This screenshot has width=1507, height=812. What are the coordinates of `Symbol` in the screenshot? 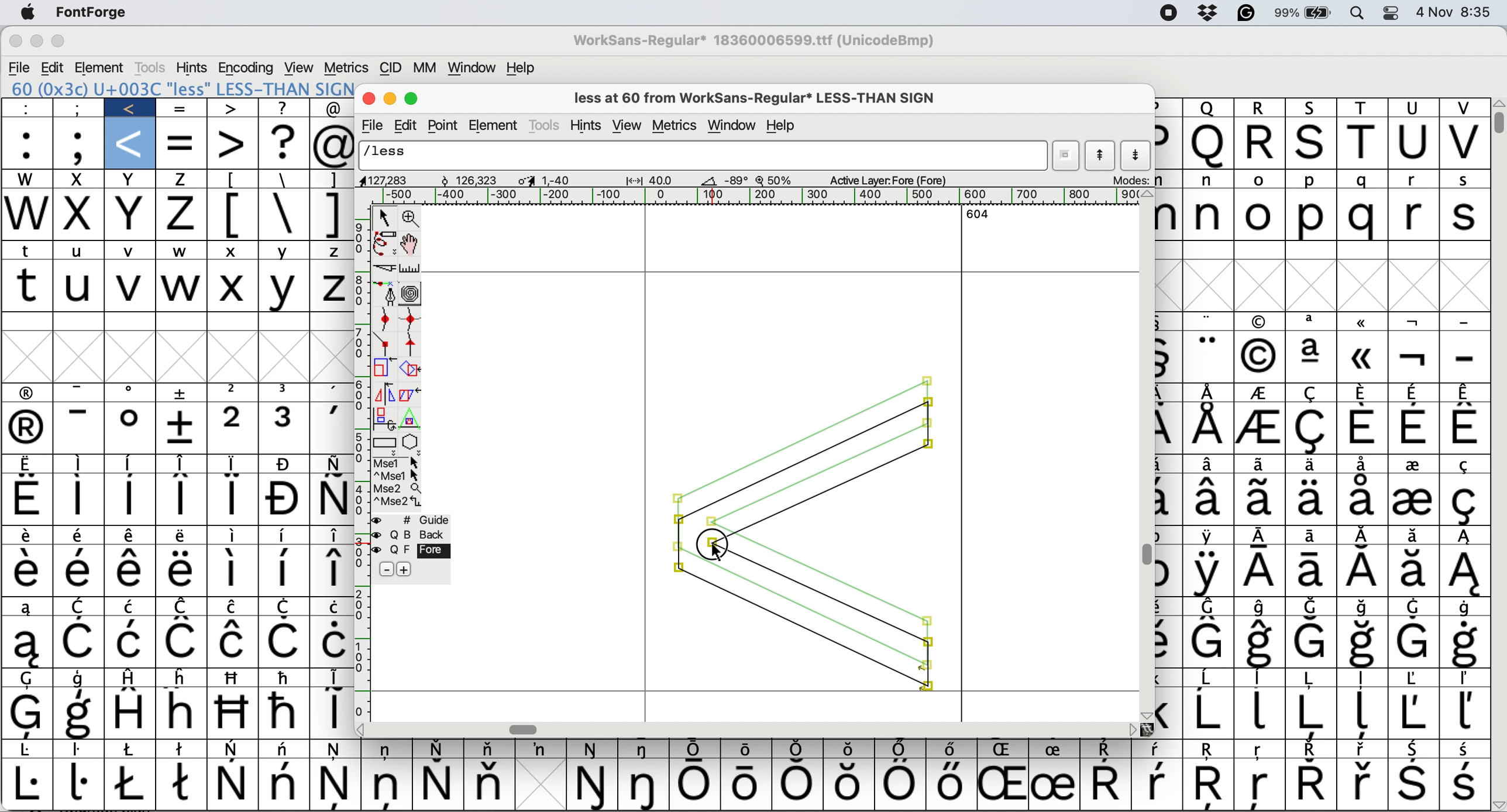 It's located at (232, 463).